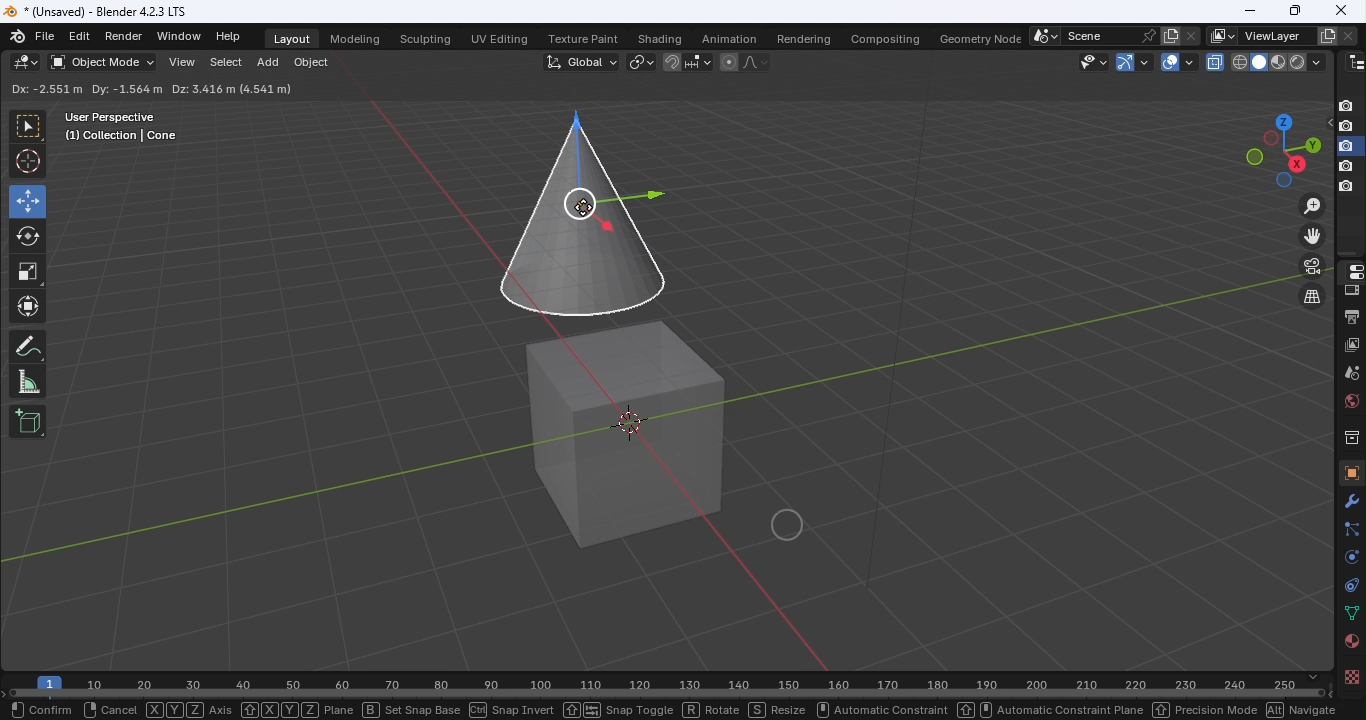 This screenshot has height=720, width=1366. I want to click on Toggle the camera view, so click(1314, 266).